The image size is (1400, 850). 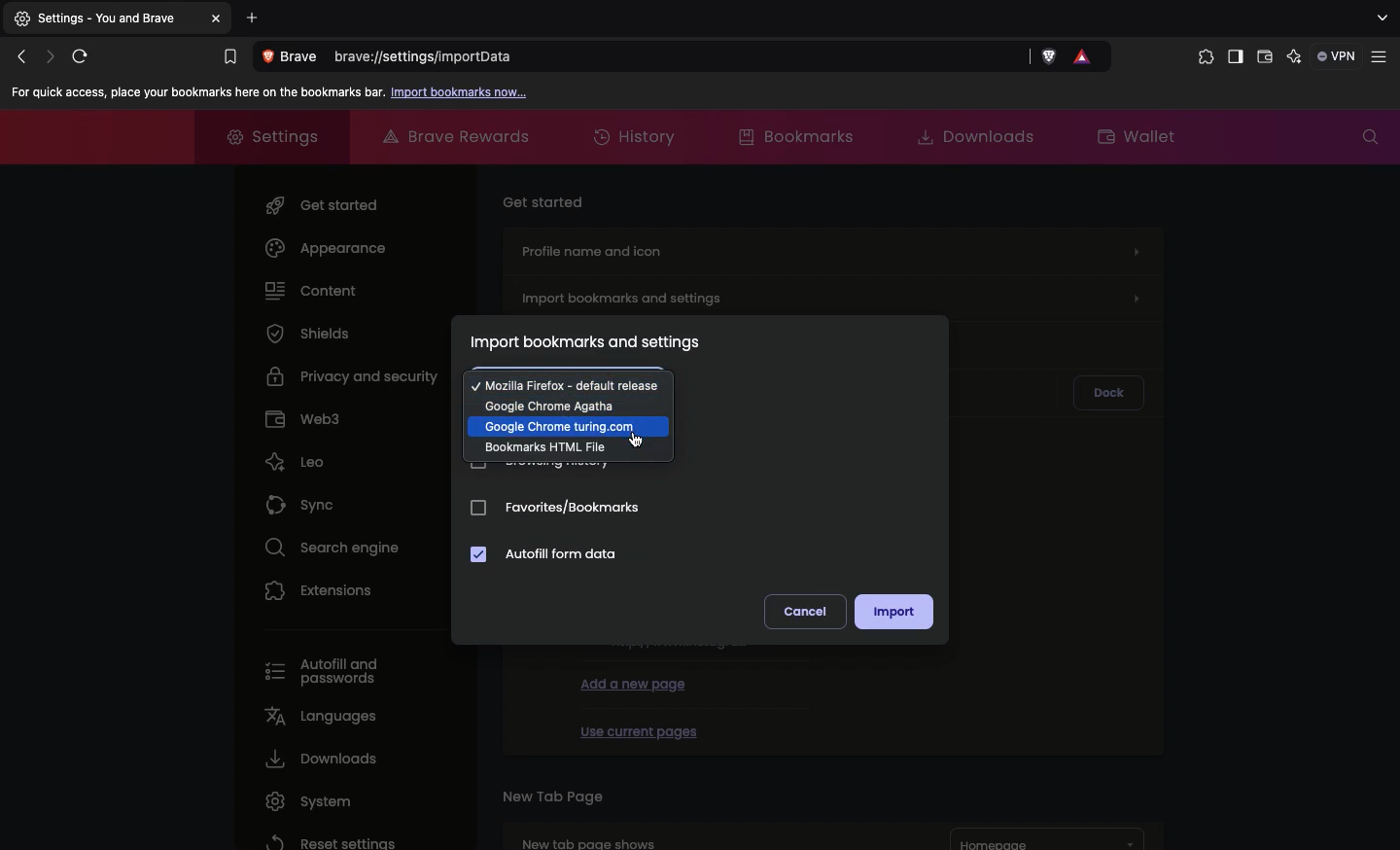 I want to click on Wallet, so click(x=1265, y=59).